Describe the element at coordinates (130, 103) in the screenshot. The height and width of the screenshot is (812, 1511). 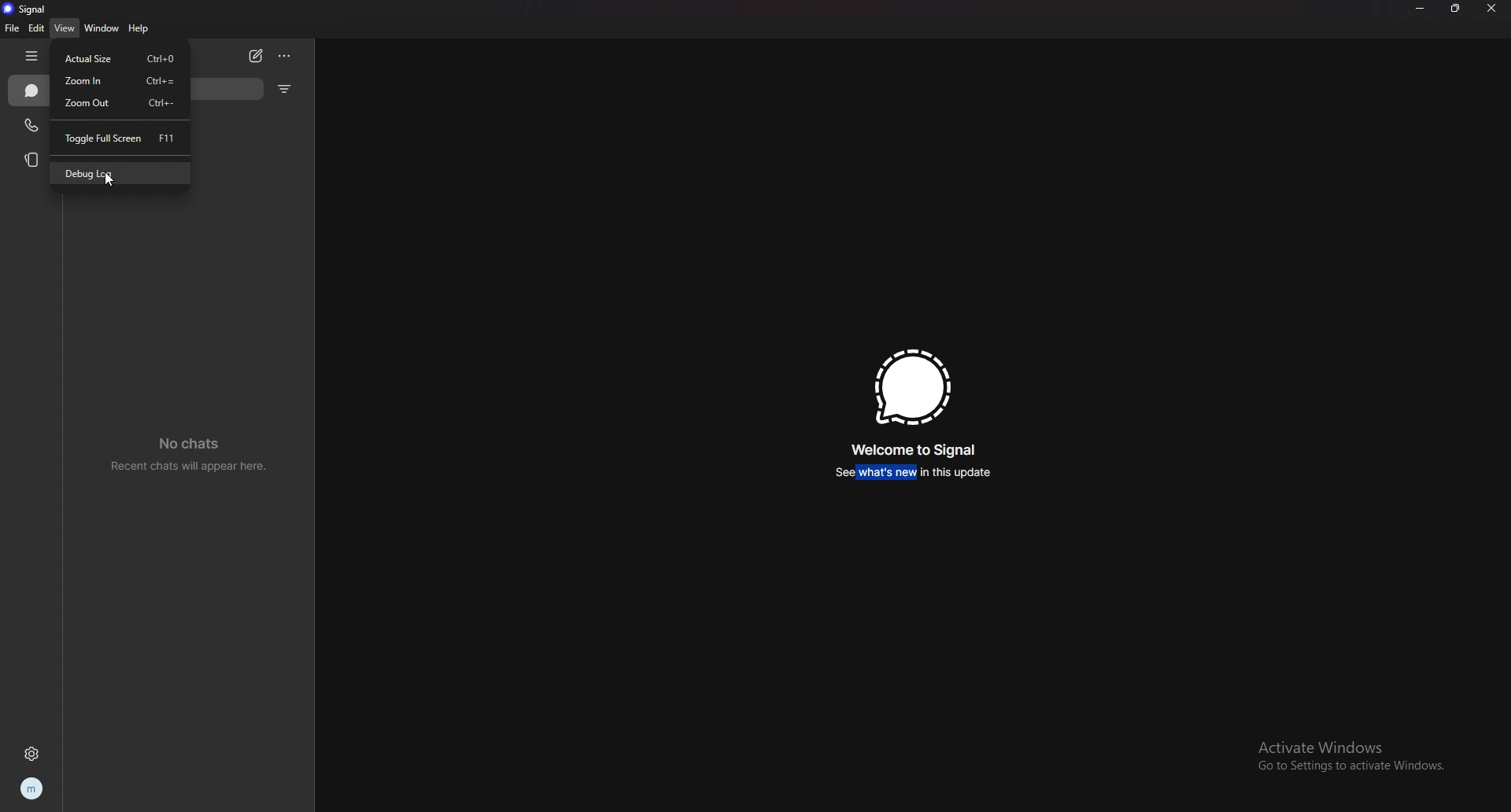
I see `zoom out` at that location.